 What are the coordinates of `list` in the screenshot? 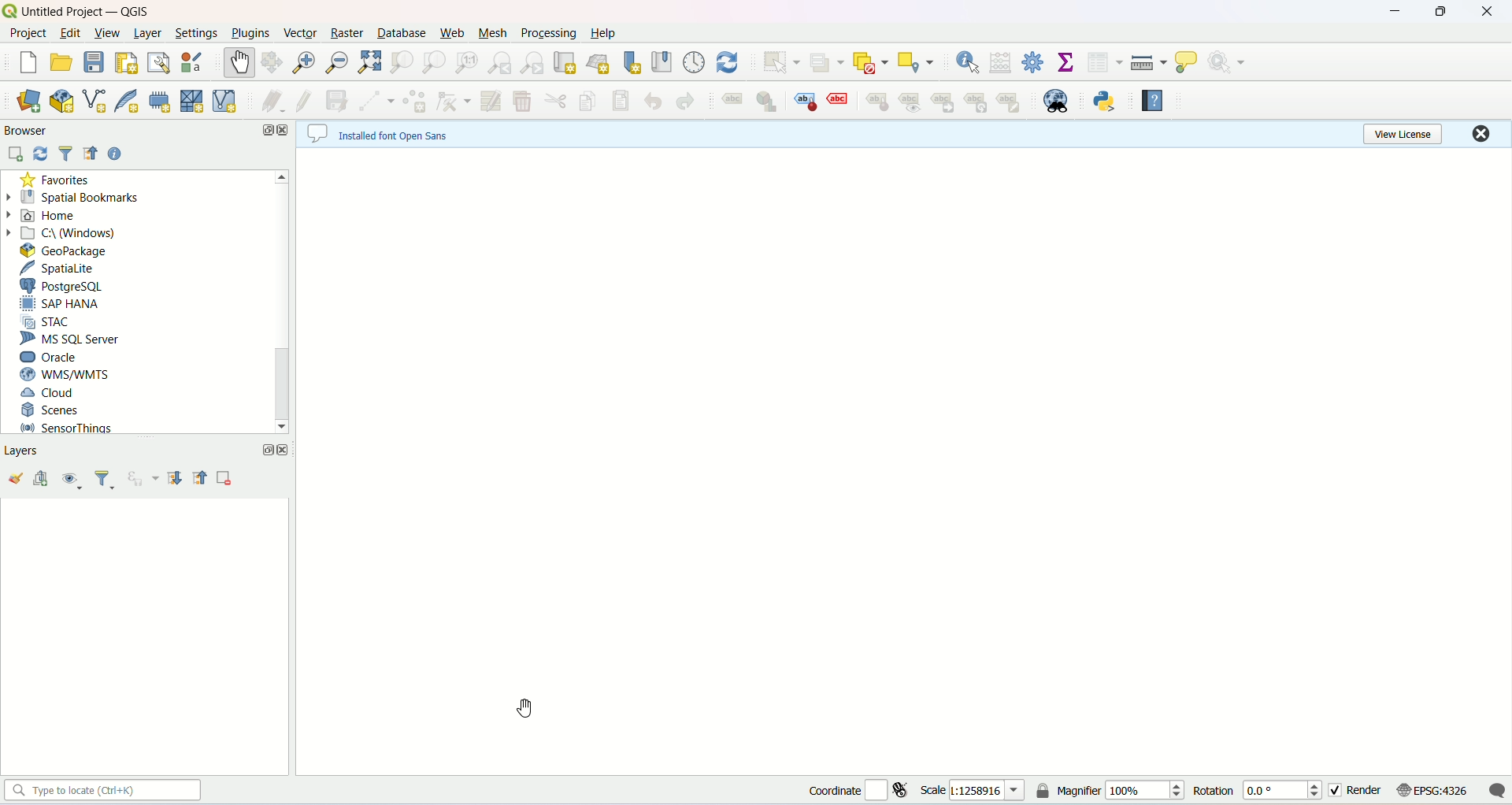 It's located at (92, 153).